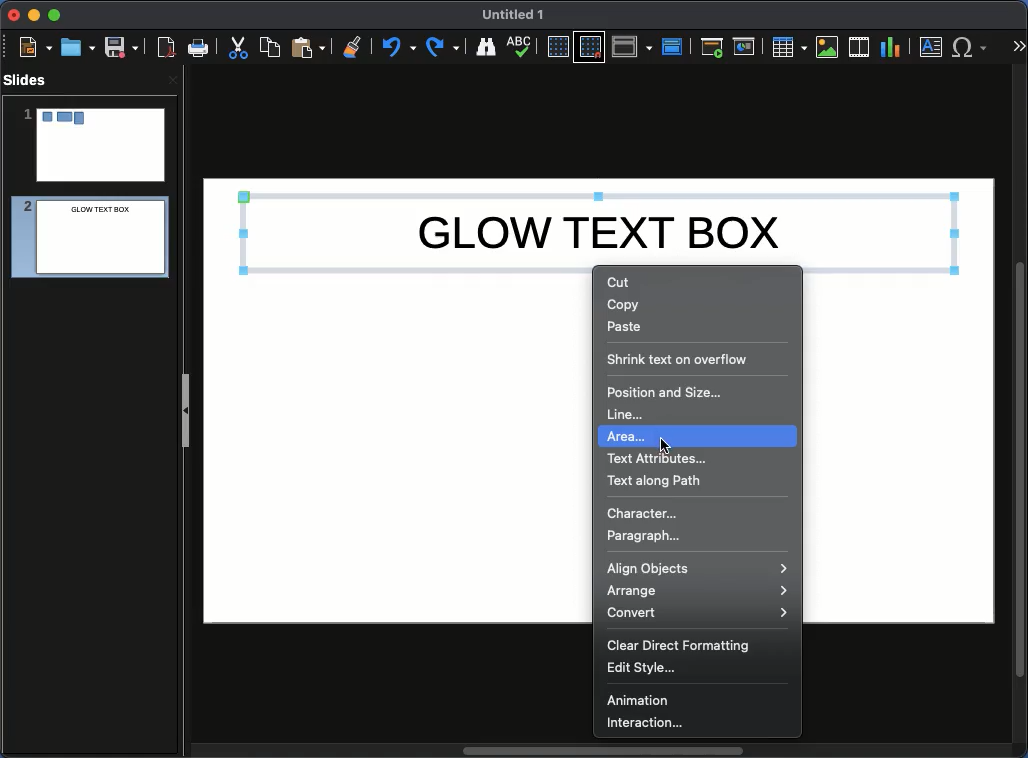 Image resolution: width=1028 pixels, height=758 pixels. I want to click on Slides, so click(31, 80).